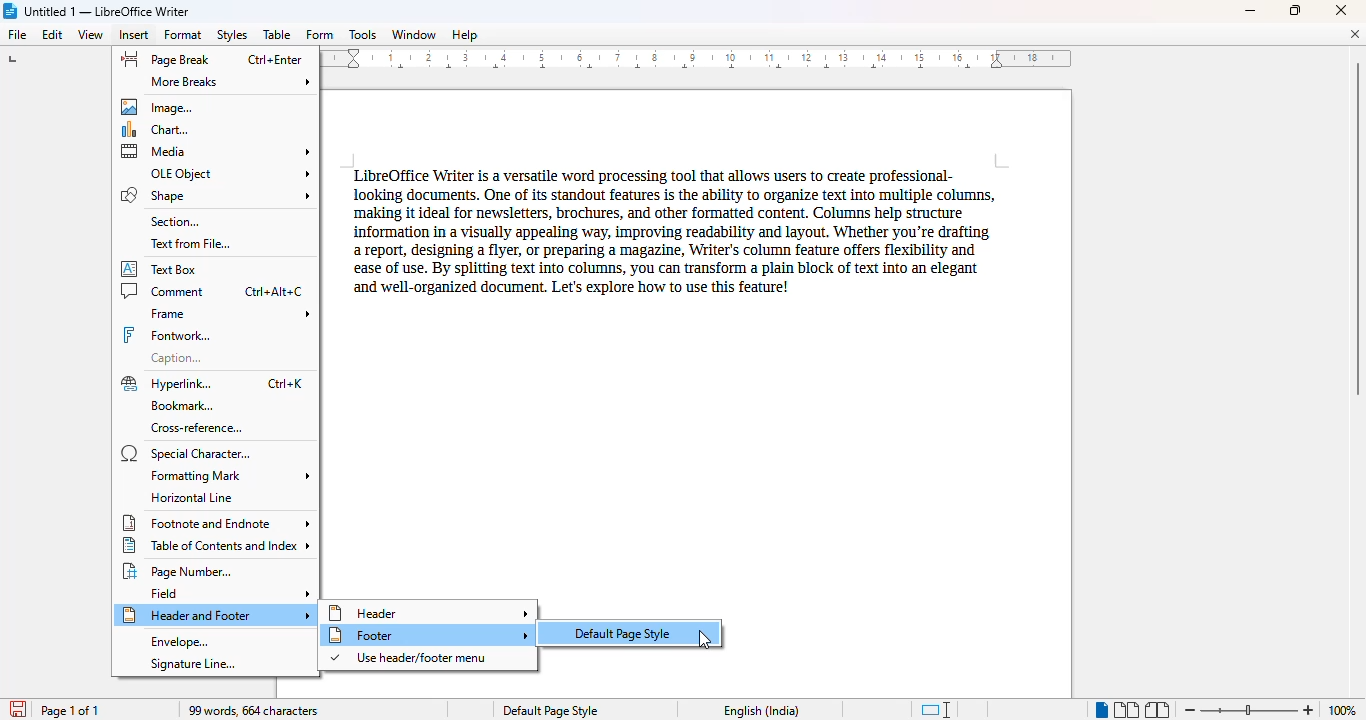 The height and width of the screenshot is (720, 1366). Describe the element at coordinates (179, 642) in the screenshot. I see `envelope` at that location.